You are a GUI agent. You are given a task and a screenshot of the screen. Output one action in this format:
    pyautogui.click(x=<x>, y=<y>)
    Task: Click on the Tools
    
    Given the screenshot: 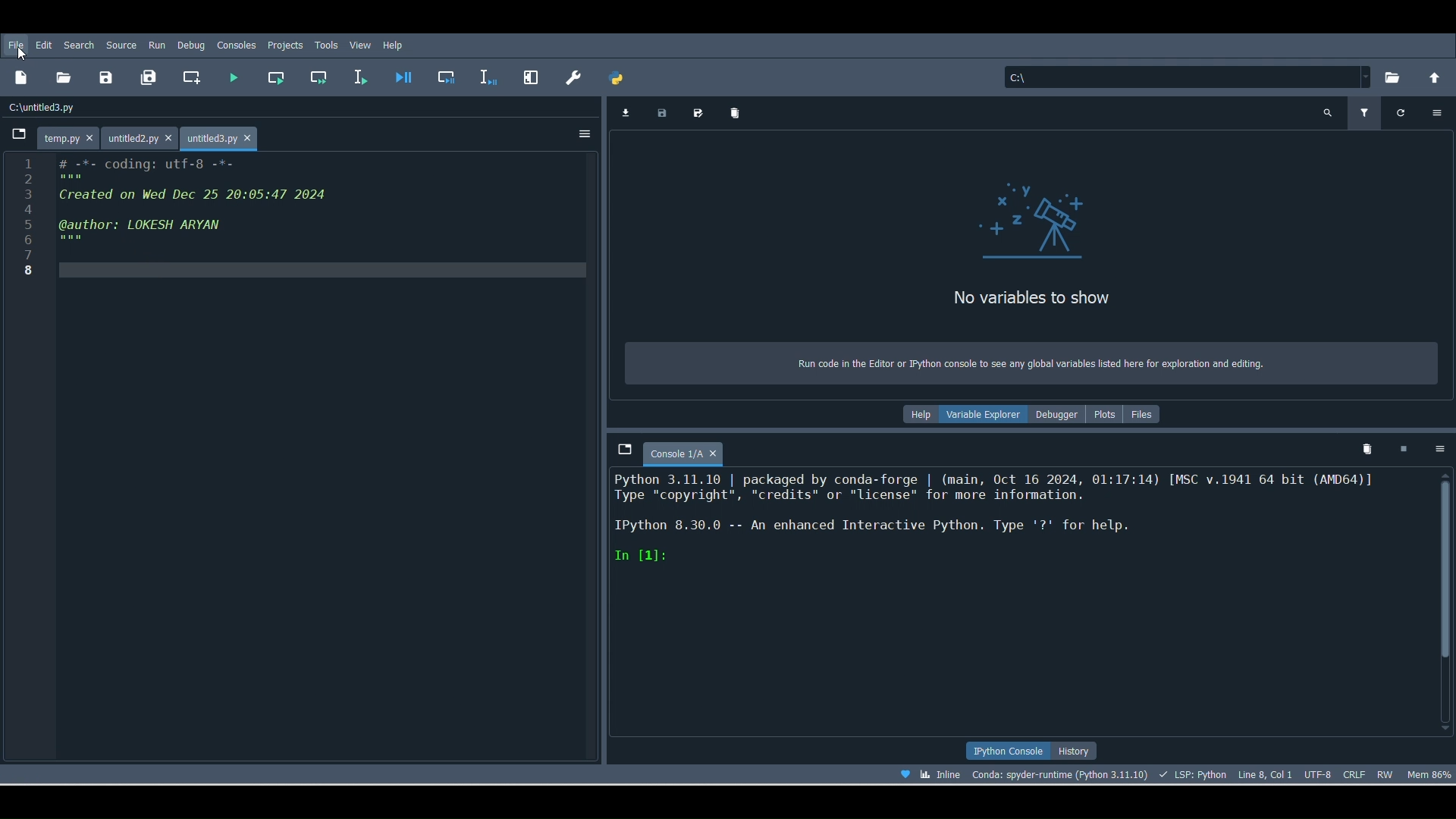 What is the action you would take?
    pyautogui.click(x=328, y=43)
    